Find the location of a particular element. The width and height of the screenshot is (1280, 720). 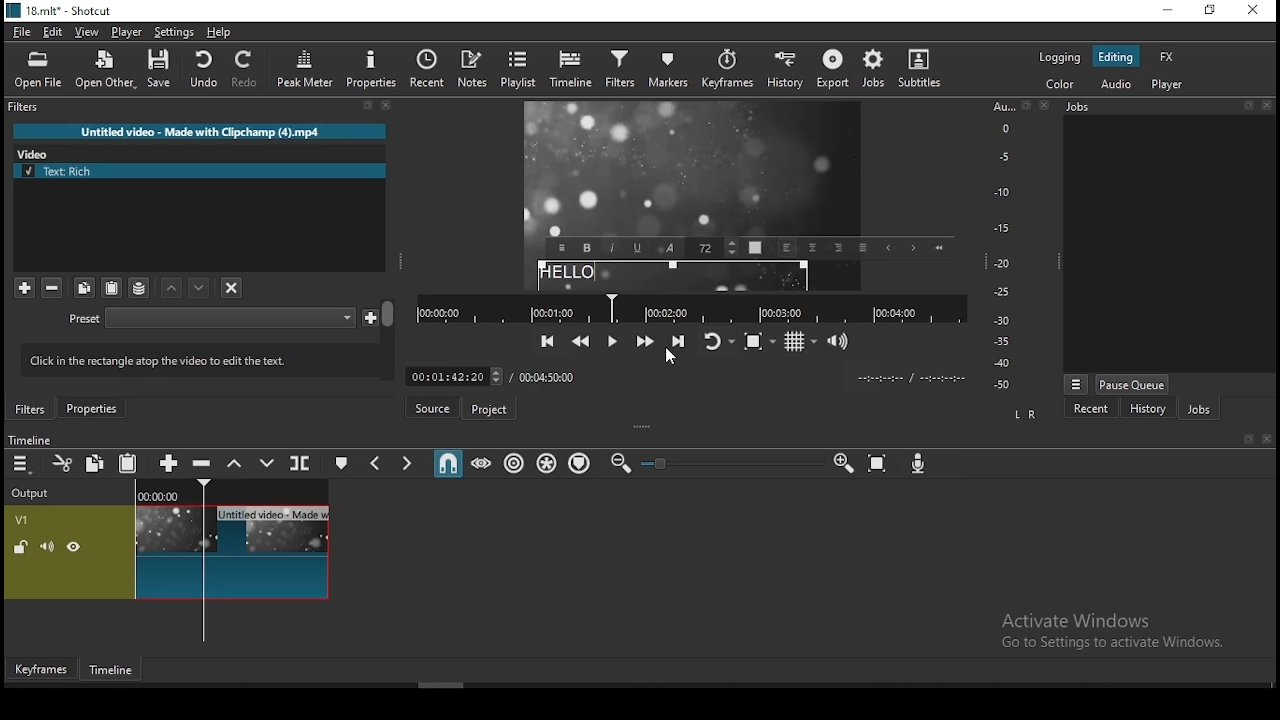

Detach is located at coordinates (1248, 105).